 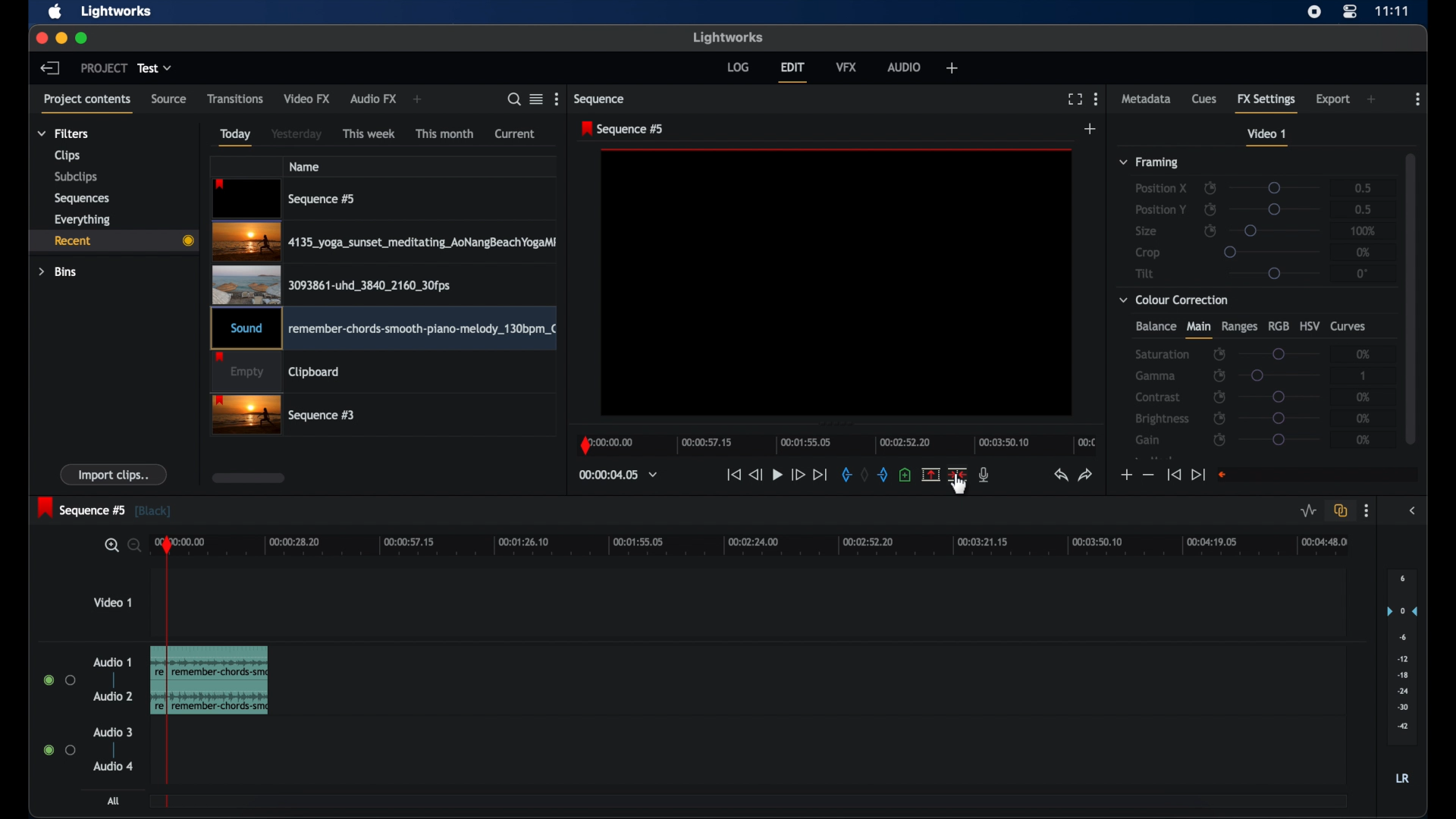 What do you see at coordinates (285, 199) in the screenshot?
I see `video clip` at bounding box center [285, 199].